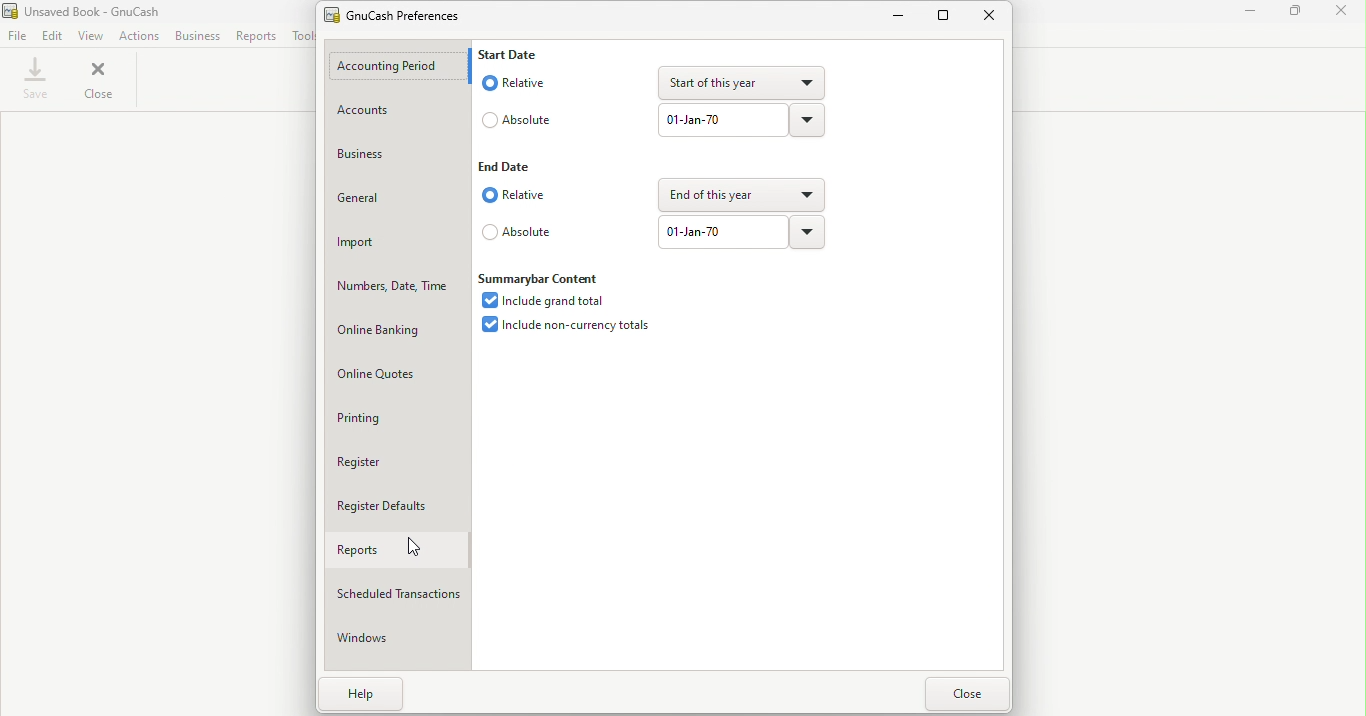 The height and width of the screenshot is (716, 1366). I want to click on 01-jan-70, so click(725, 120).